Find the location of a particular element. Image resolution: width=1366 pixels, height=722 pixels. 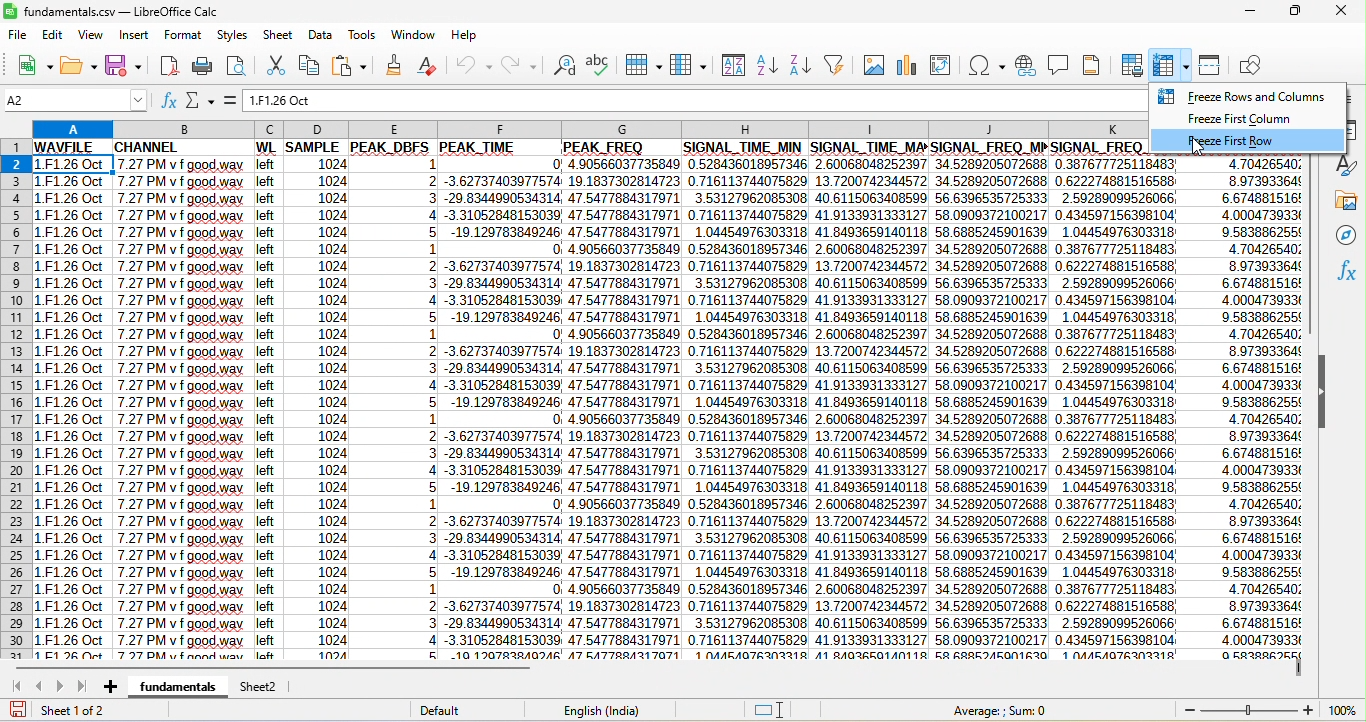

cell ranges is located at coordinates (1229, 409).